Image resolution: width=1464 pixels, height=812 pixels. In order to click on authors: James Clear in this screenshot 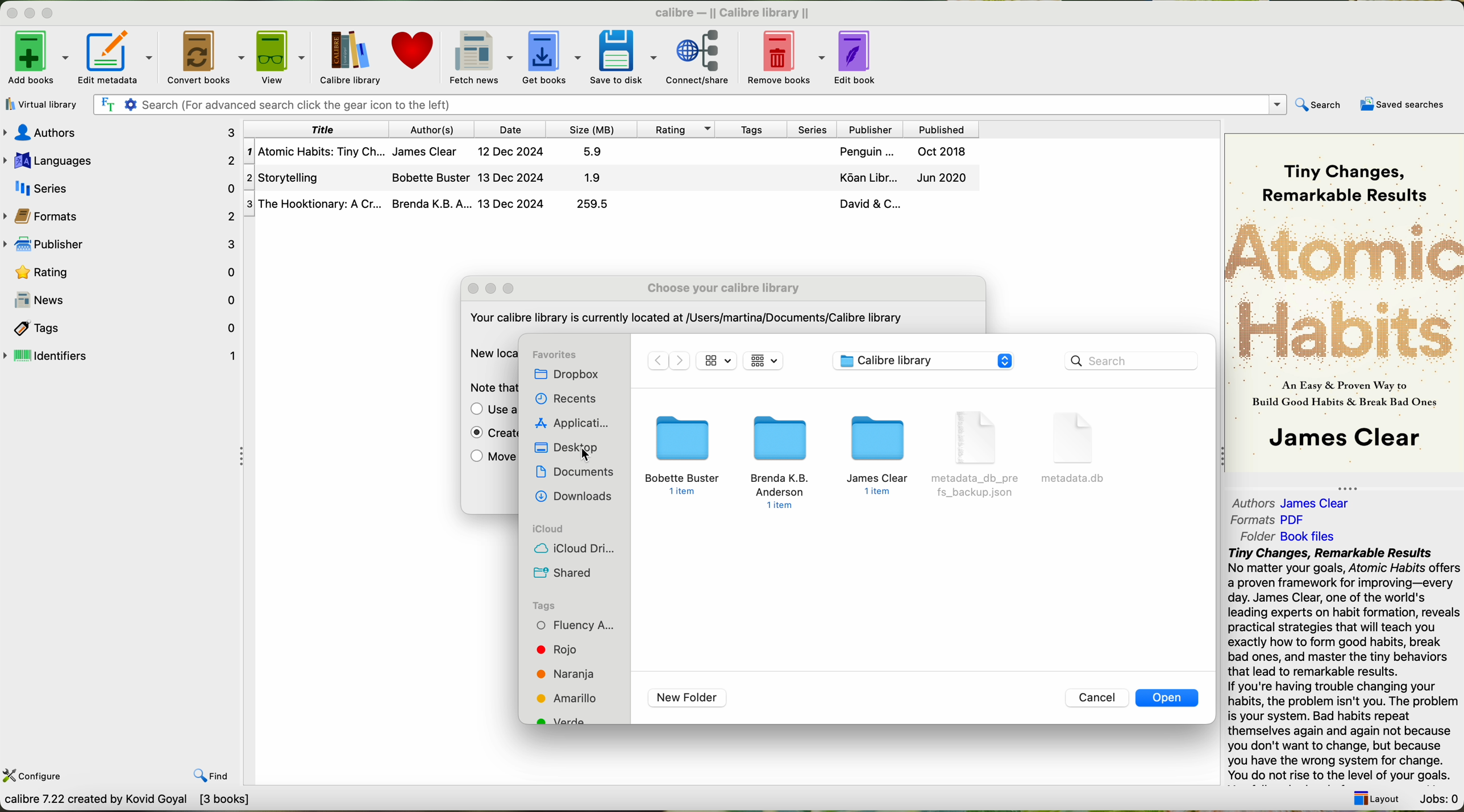, I will do `click(1288, 500)`.